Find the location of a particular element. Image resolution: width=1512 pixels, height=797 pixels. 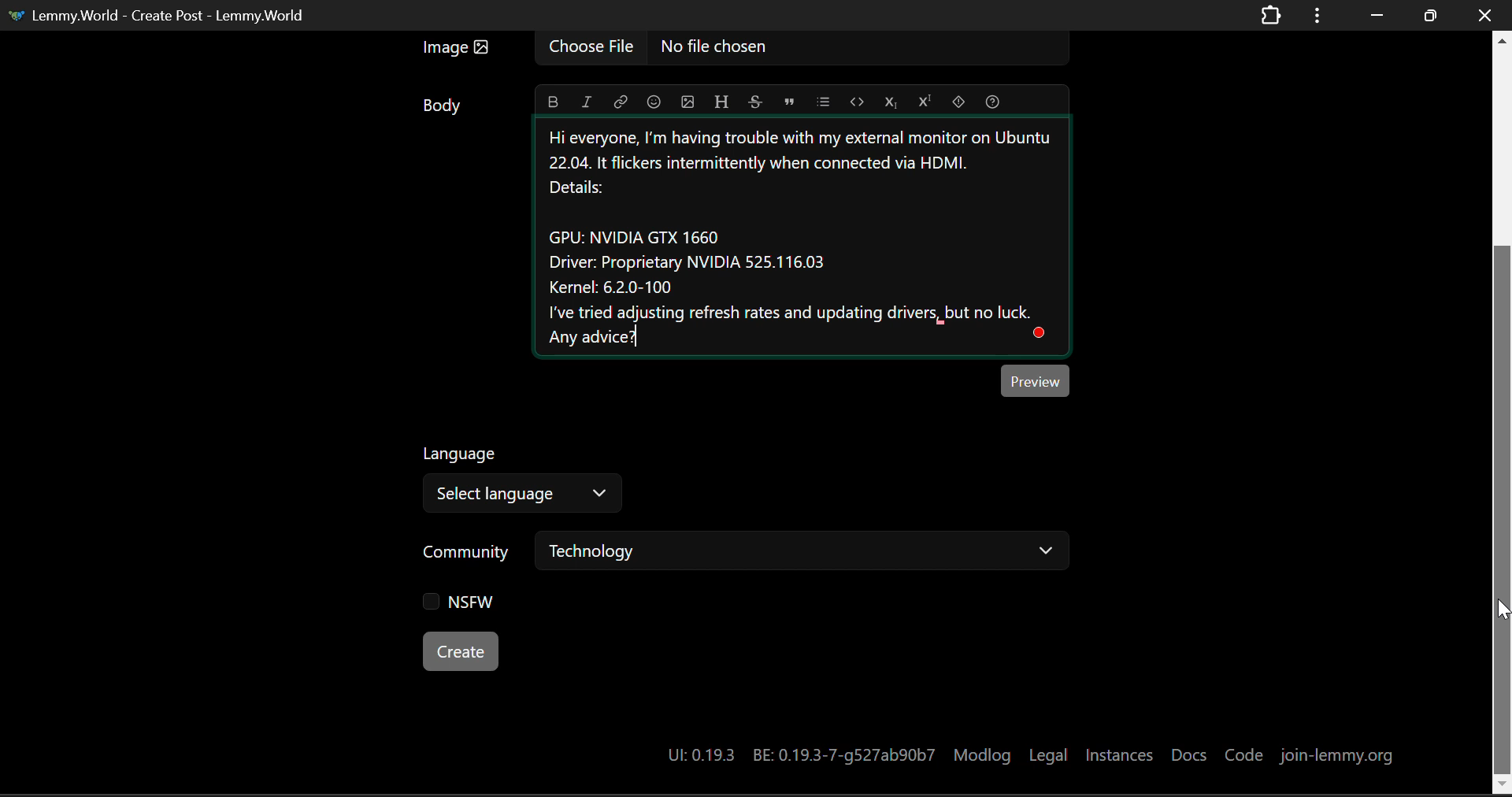

Select Post Language  is located at coordinates (519, 482).